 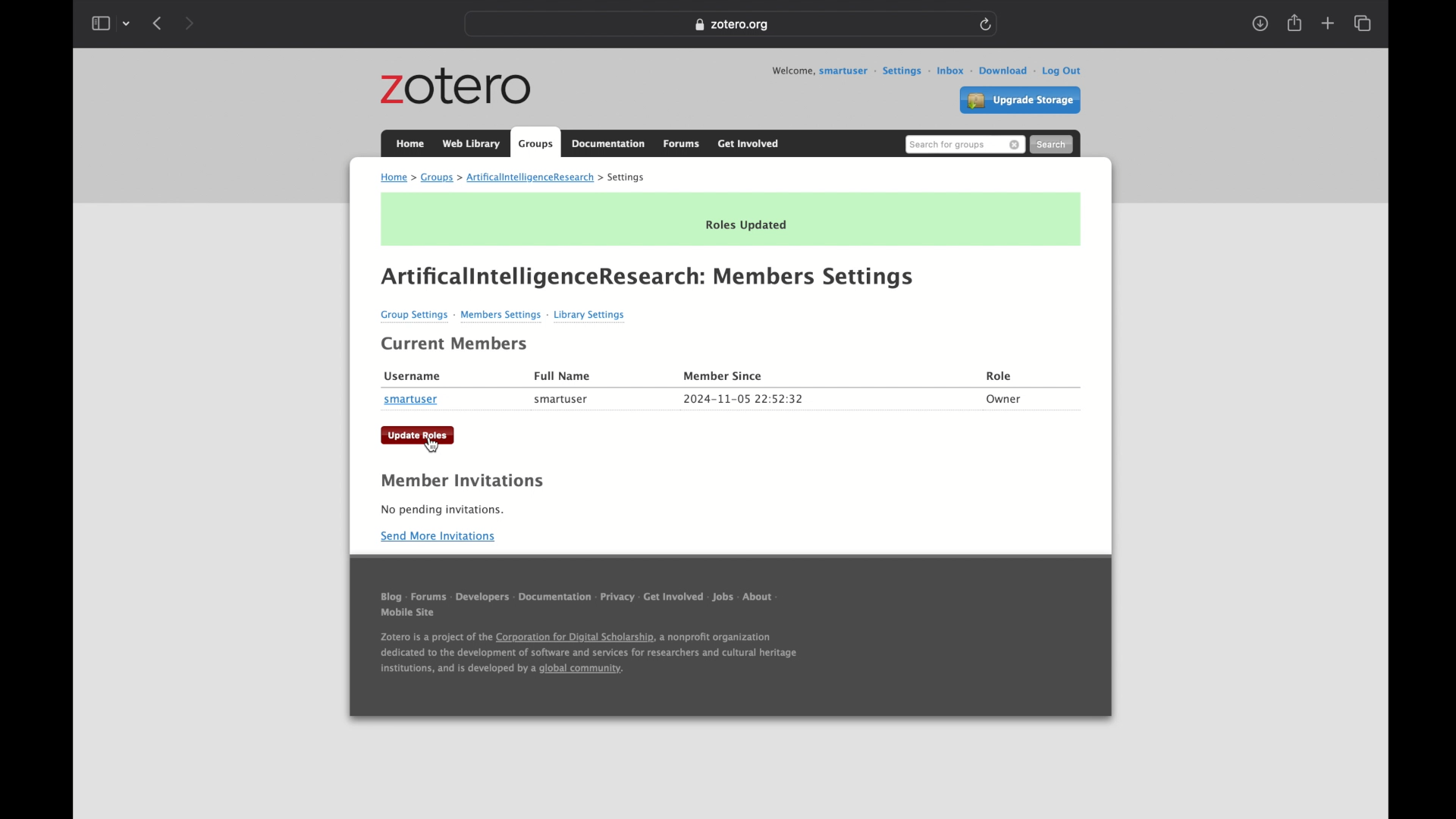 What do you see at coordinates (501, 315) in the screenshot?
I see `Members Settings` at bounding box center [501, 315].